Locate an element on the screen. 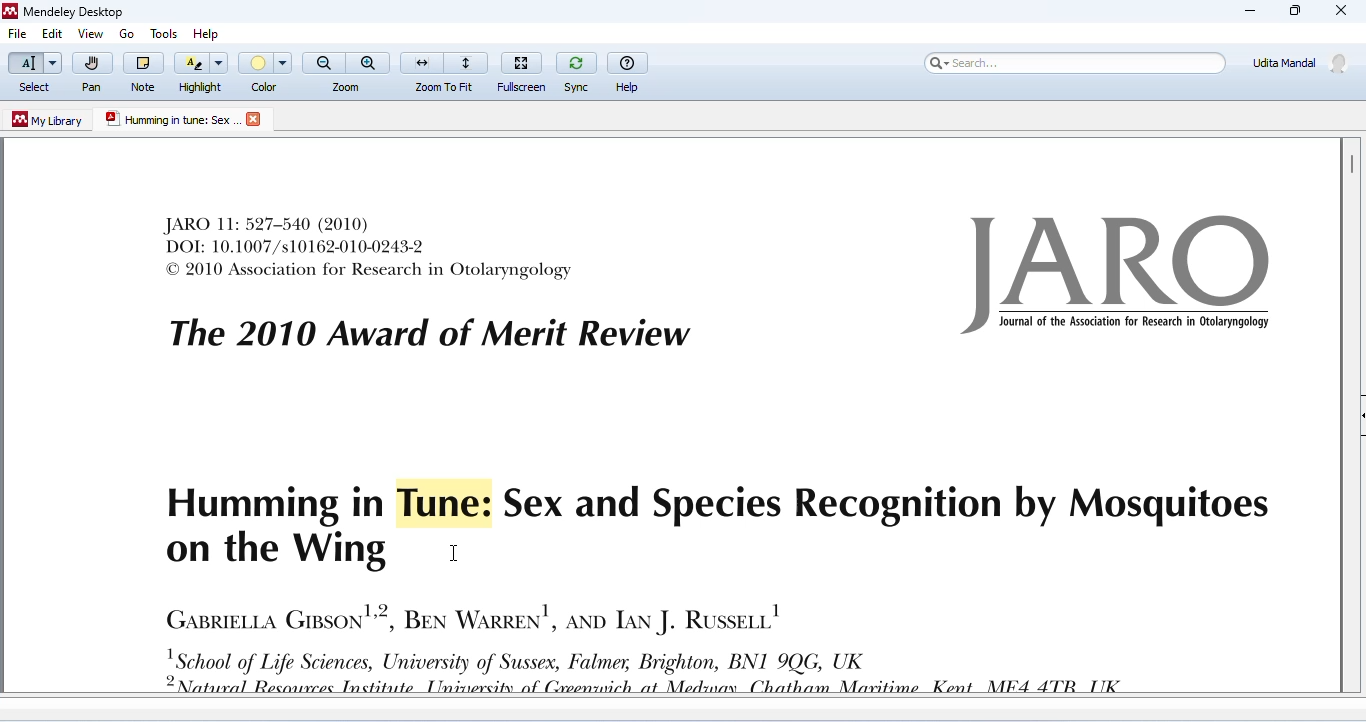 The height and width of the screenshot is (722, 1366). account is located at coordinates (1301, 62).